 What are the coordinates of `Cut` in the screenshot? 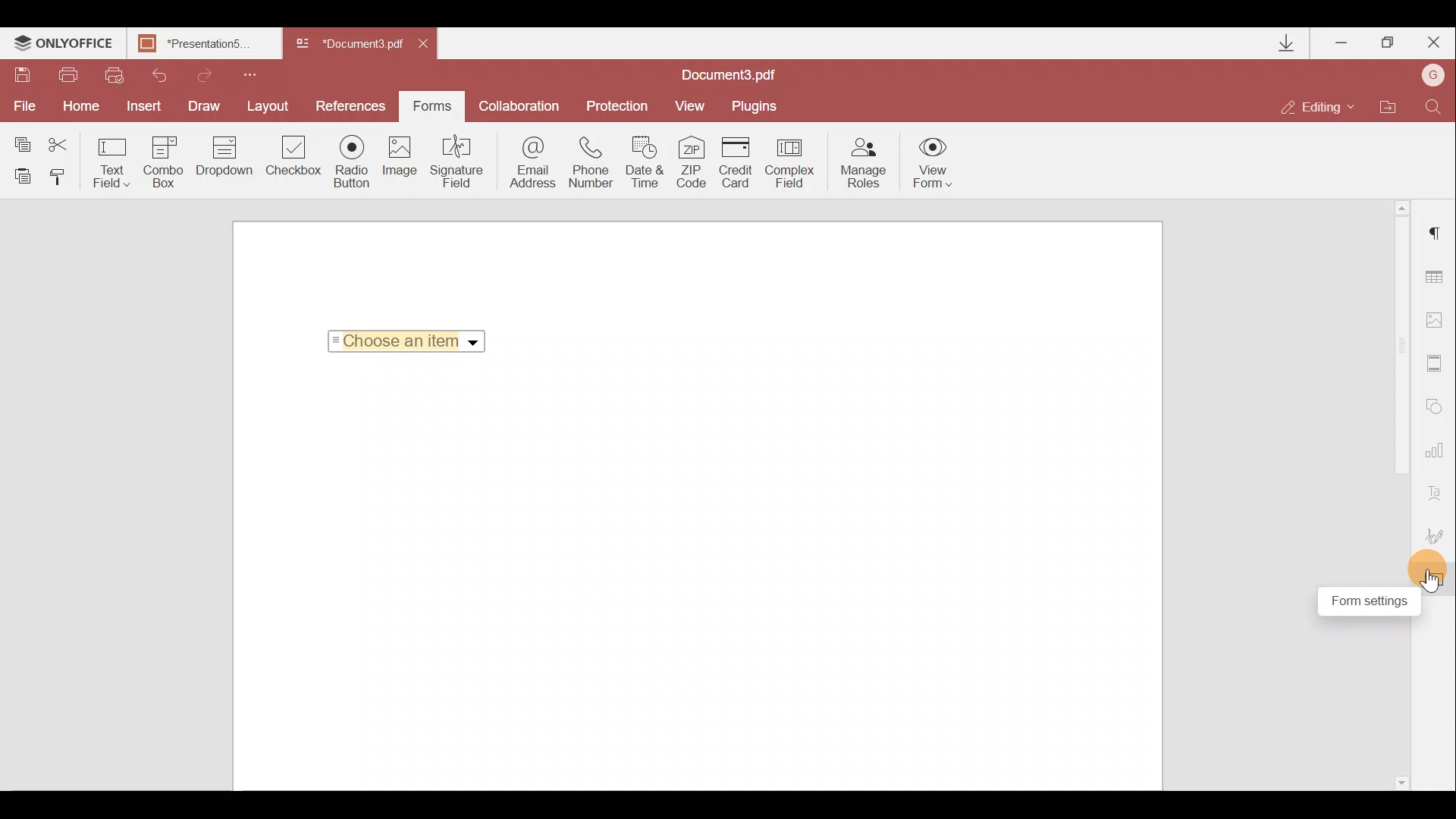 It's located at (67, 142).